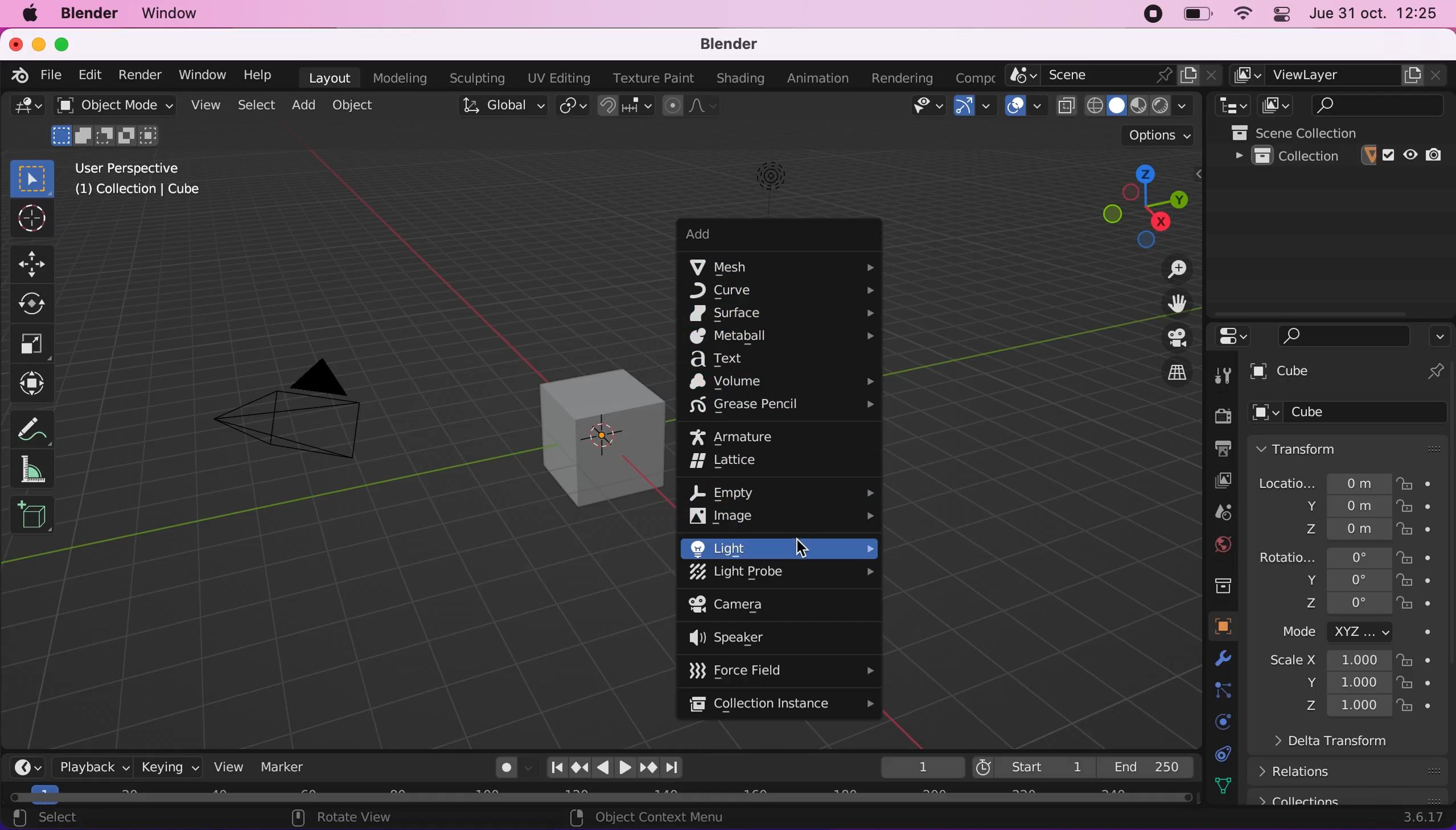 The height and width of the screenshot is (830, 1456). Describe the element at coordinates (895, 78) in the screenshot. I see `rendering` at that location.